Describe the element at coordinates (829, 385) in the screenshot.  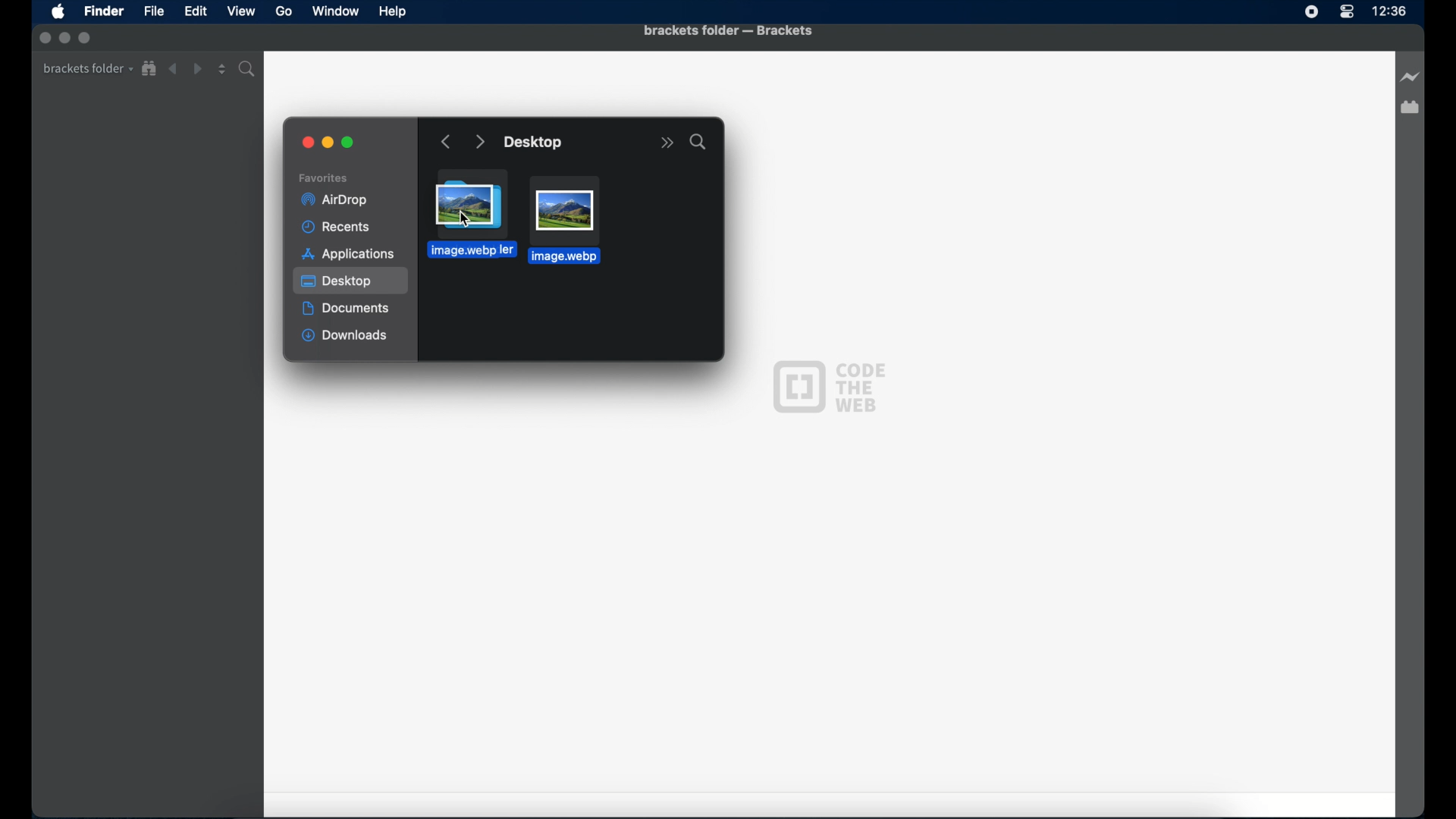
I see `code the web` at that location.